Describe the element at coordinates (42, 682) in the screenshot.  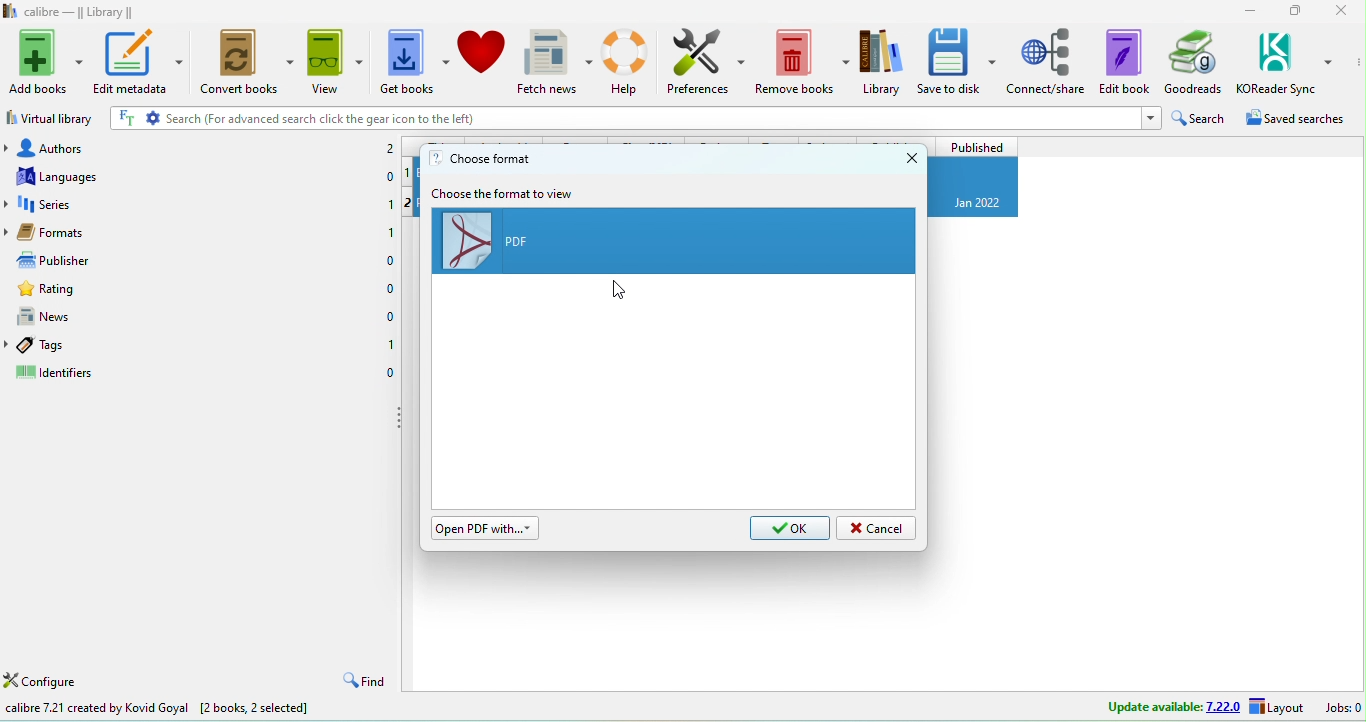
I see `configure` at that location.